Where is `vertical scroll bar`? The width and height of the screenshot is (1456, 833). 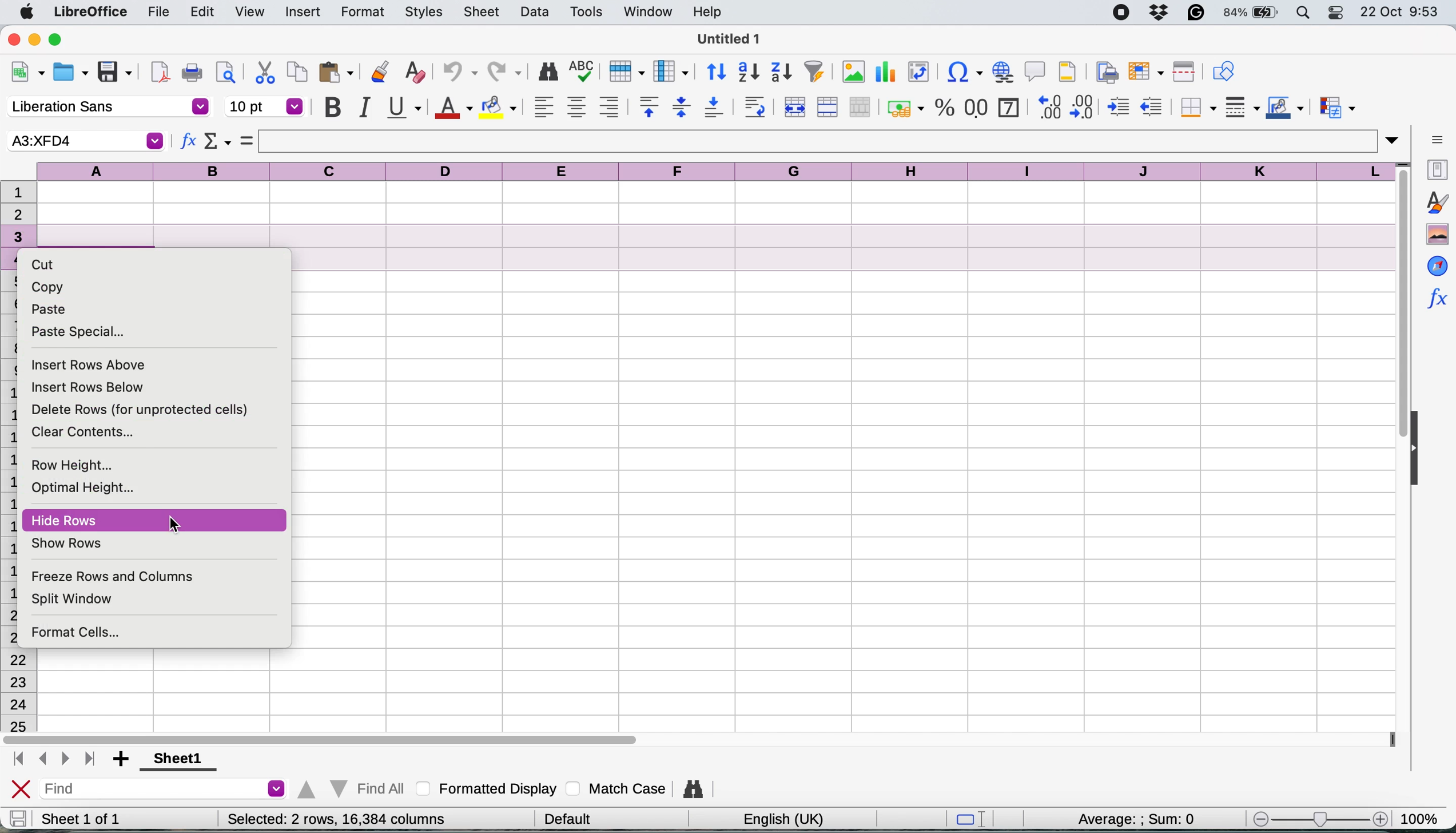 vertical scroll bar is located at coordinates (1394, 312).